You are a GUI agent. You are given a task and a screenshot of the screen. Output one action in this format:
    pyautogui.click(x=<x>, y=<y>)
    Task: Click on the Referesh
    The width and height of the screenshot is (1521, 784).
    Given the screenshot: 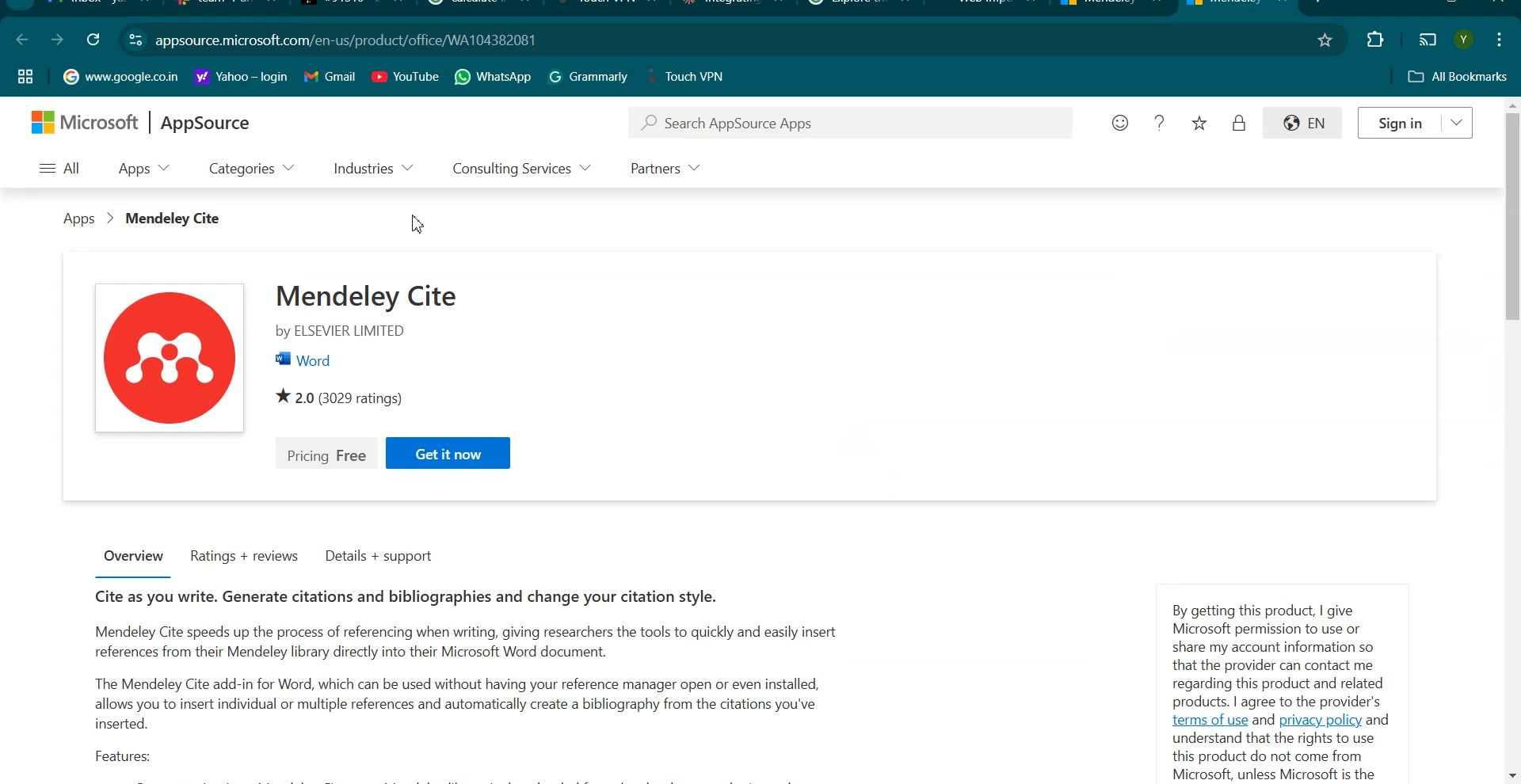 What is the action you would take?
    pyautogui.click(x=92, y=40)
    